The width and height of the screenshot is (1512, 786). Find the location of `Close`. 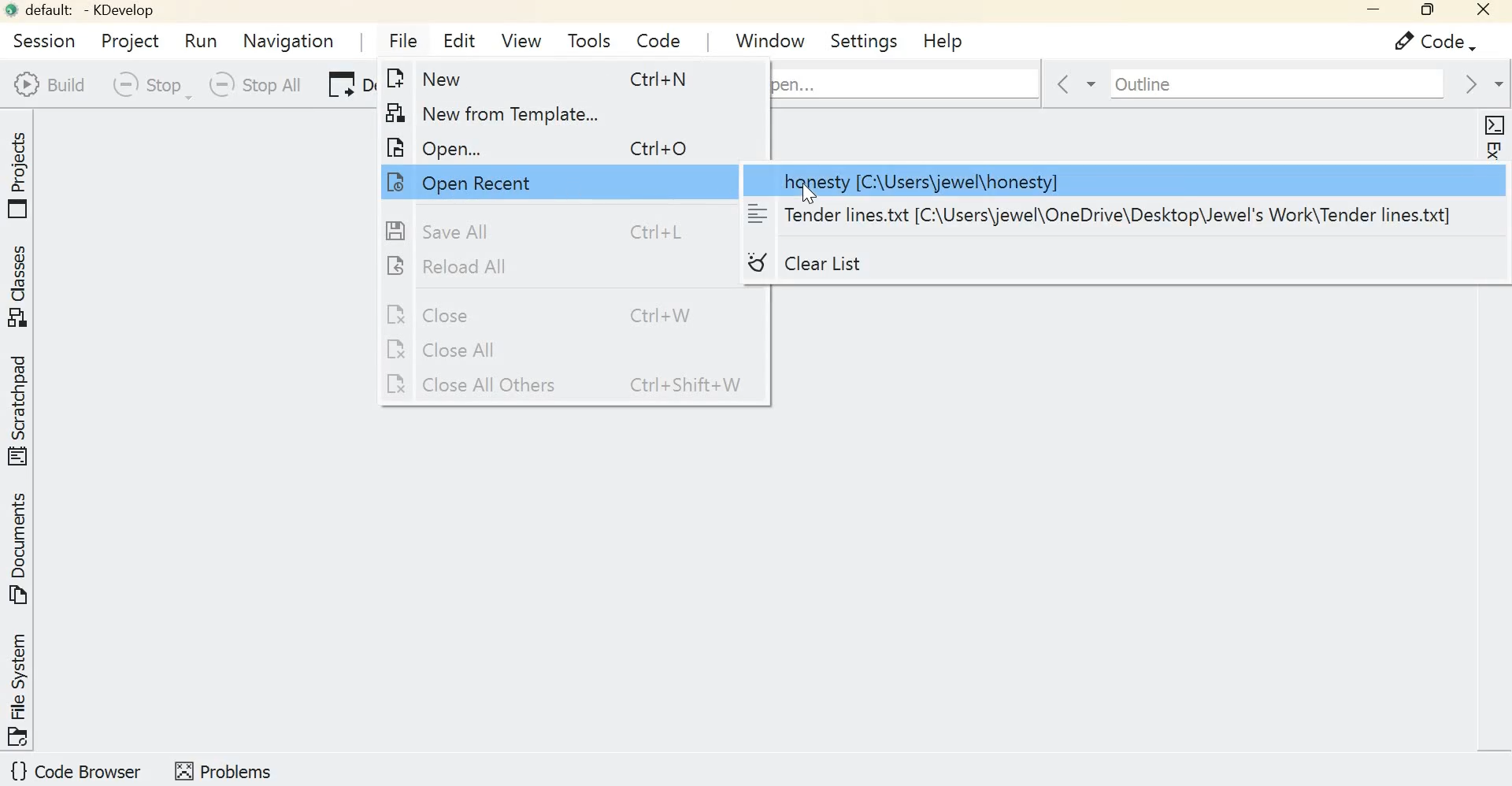

Close is located at coordinates (547, 313).